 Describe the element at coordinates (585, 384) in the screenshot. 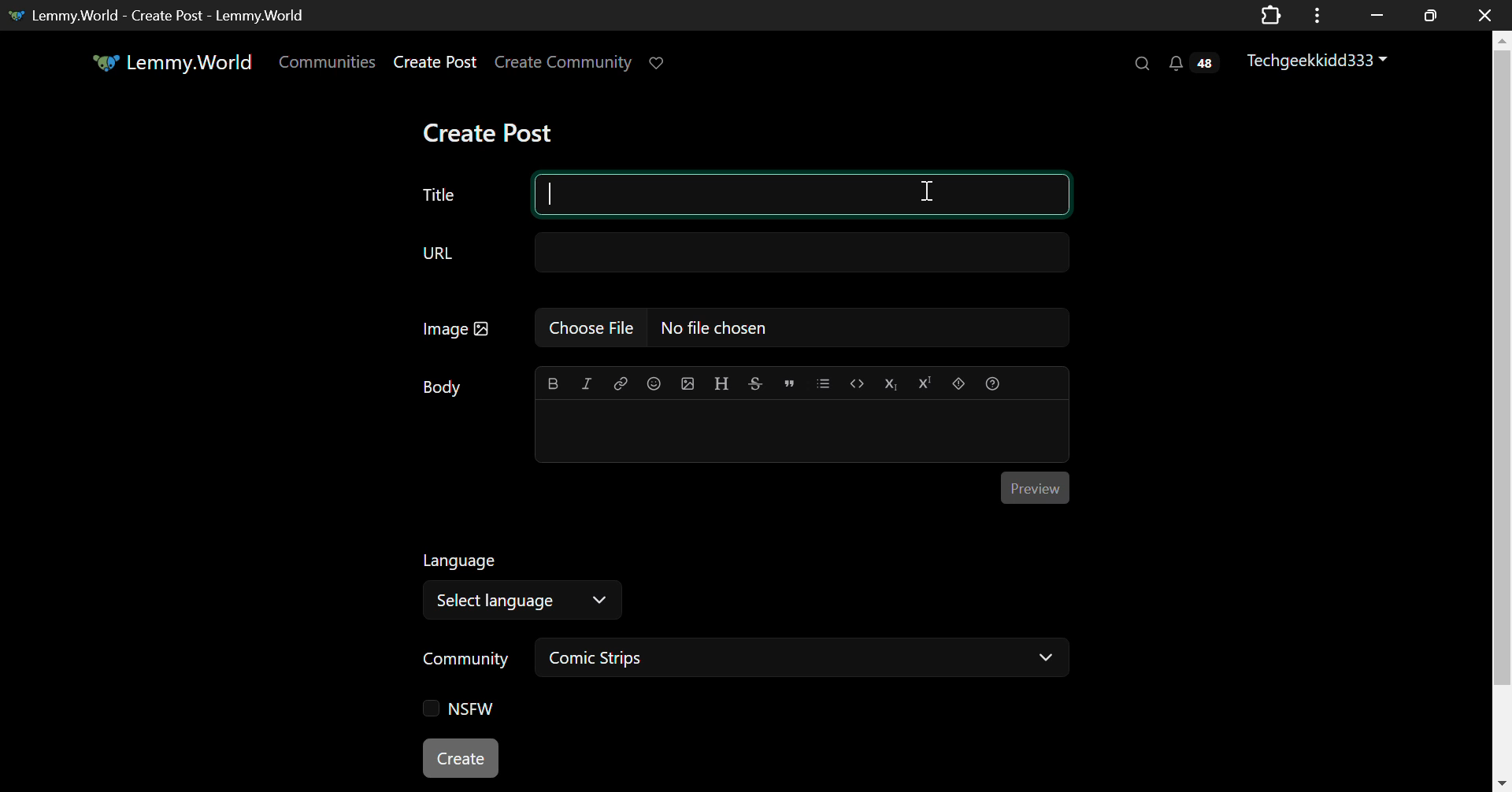

I see `italic` at that location.